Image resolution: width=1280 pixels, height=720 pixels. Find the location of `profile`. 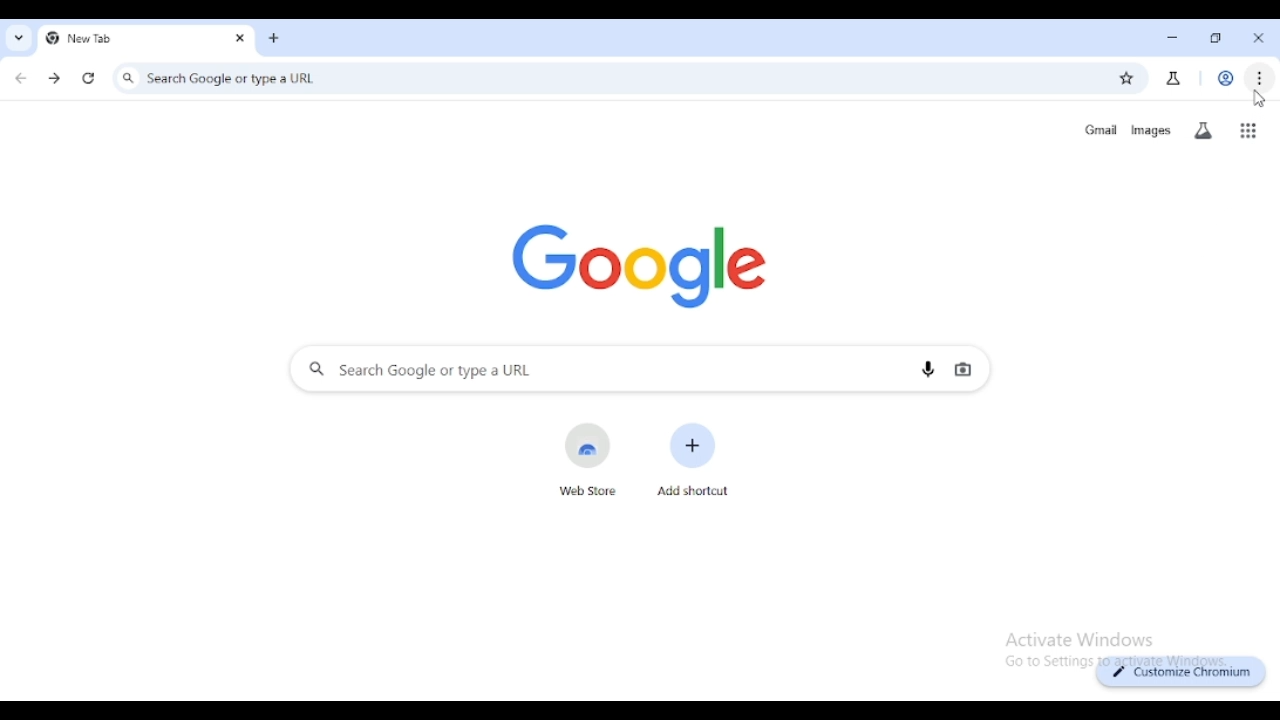

profile is located at coordinates (1225, 78).